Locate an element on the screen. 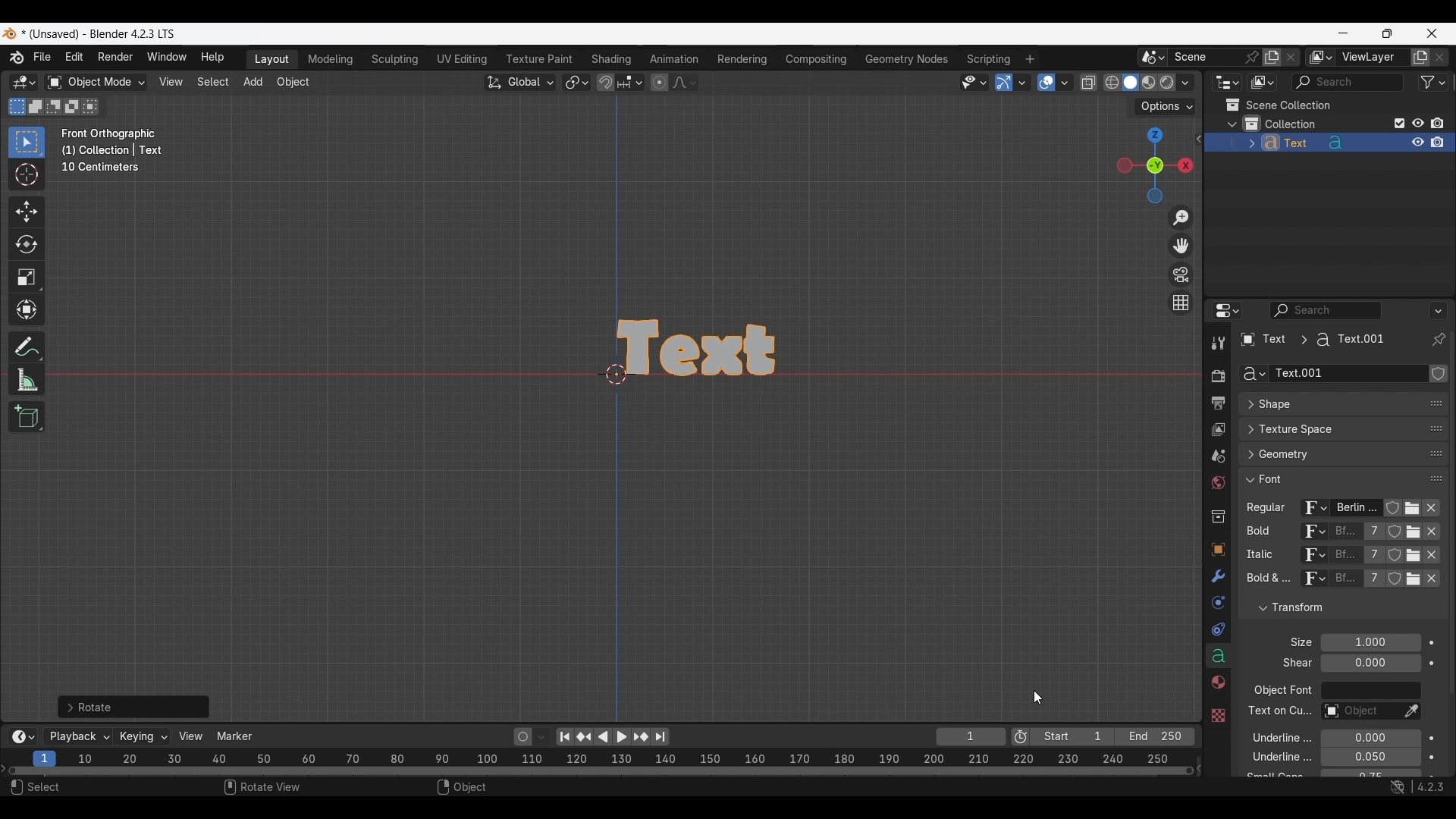 The width and height of the screenshot is (1456, 819). Change order in the list is located at coordinates (1436, 369).